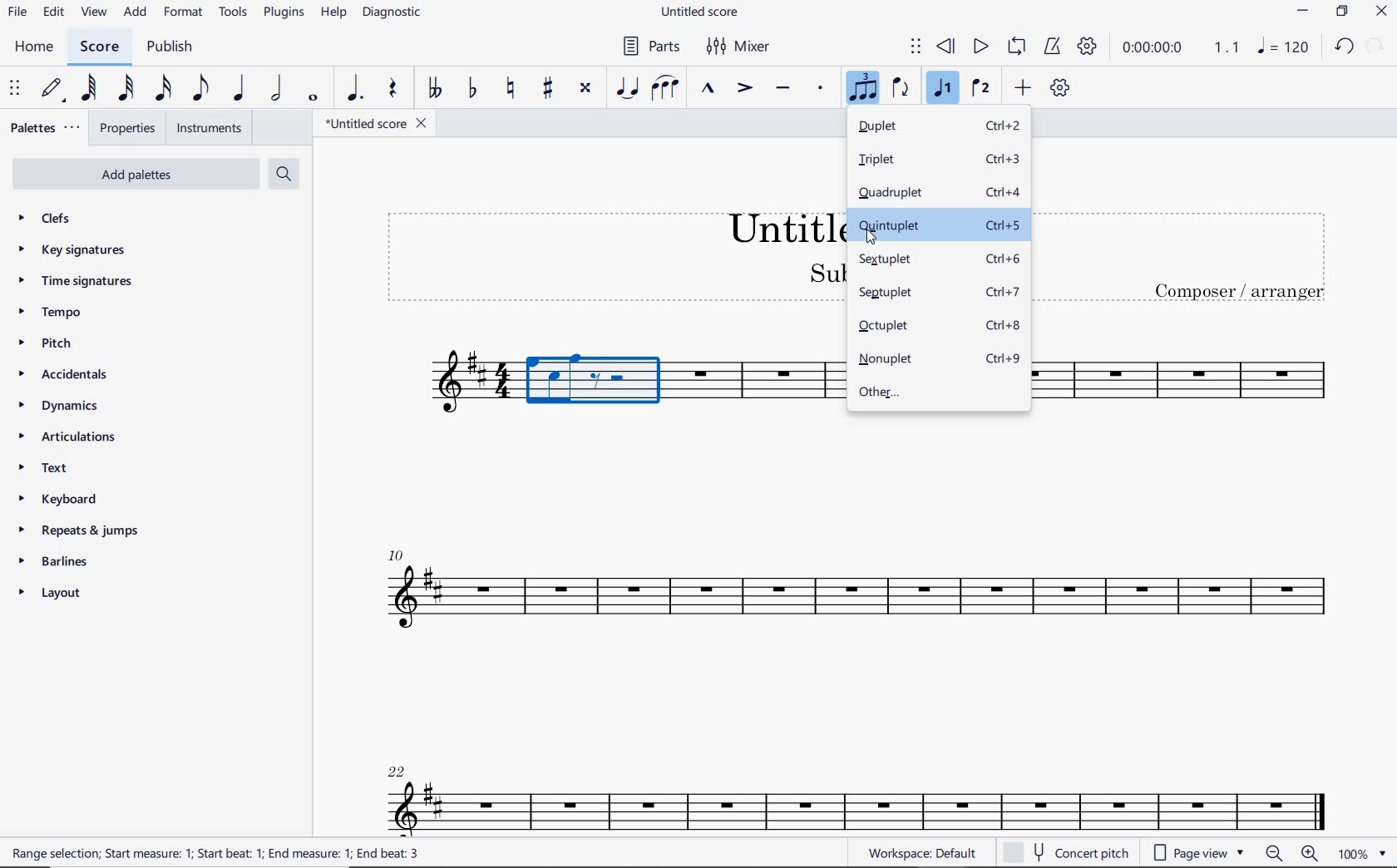 The height and width of the screenshot is (868, 1397). I want to click on NOTE, so click(1282, 47).